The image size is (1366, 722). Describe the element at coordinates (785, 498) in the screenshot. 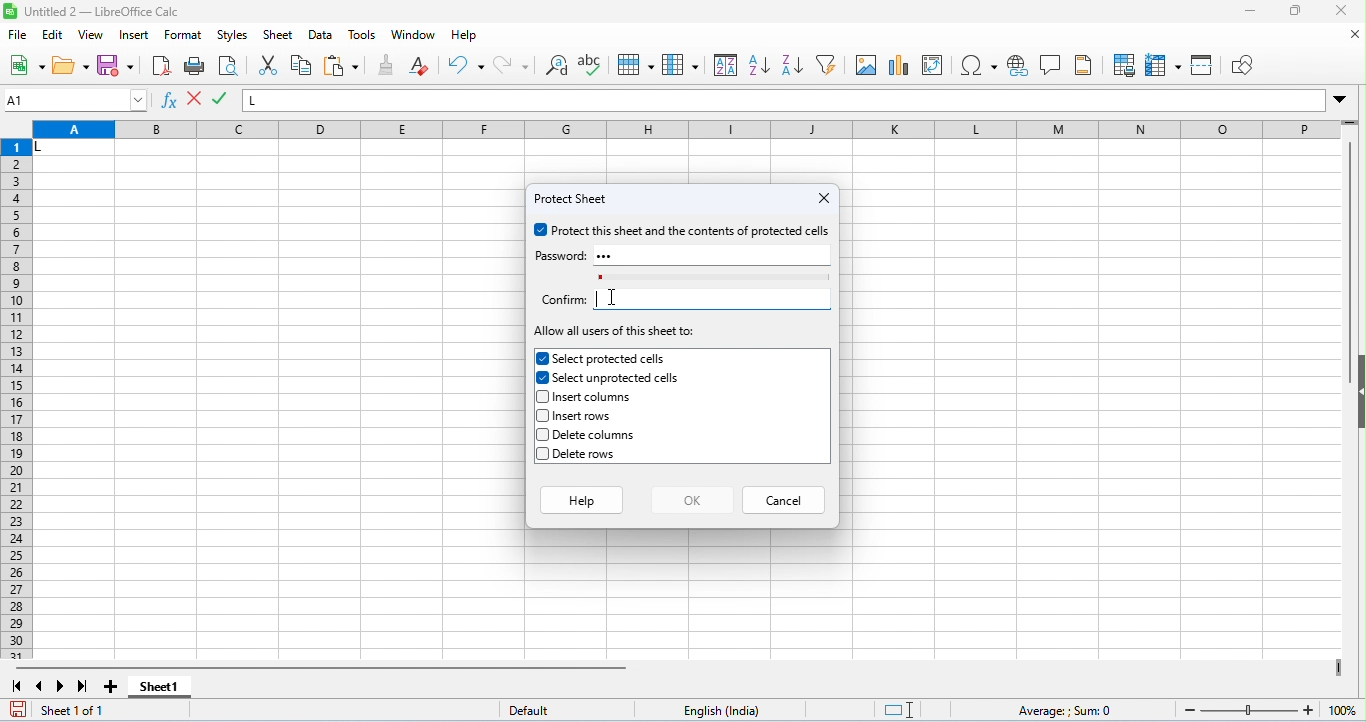

I see `cancel` at that location.